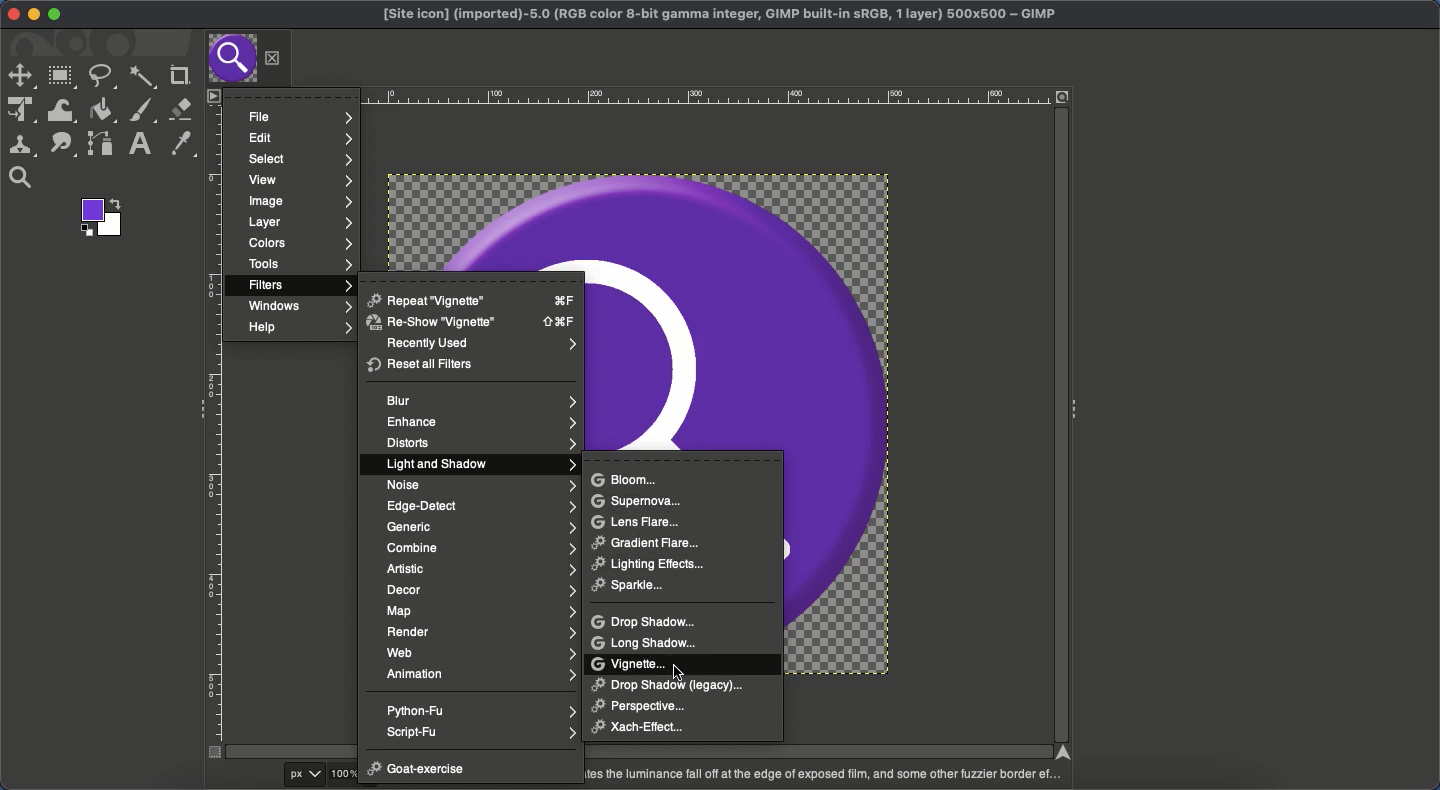  Describe the element at coordinates (678, 672) in the screenshot. I see `cursor` at that location.